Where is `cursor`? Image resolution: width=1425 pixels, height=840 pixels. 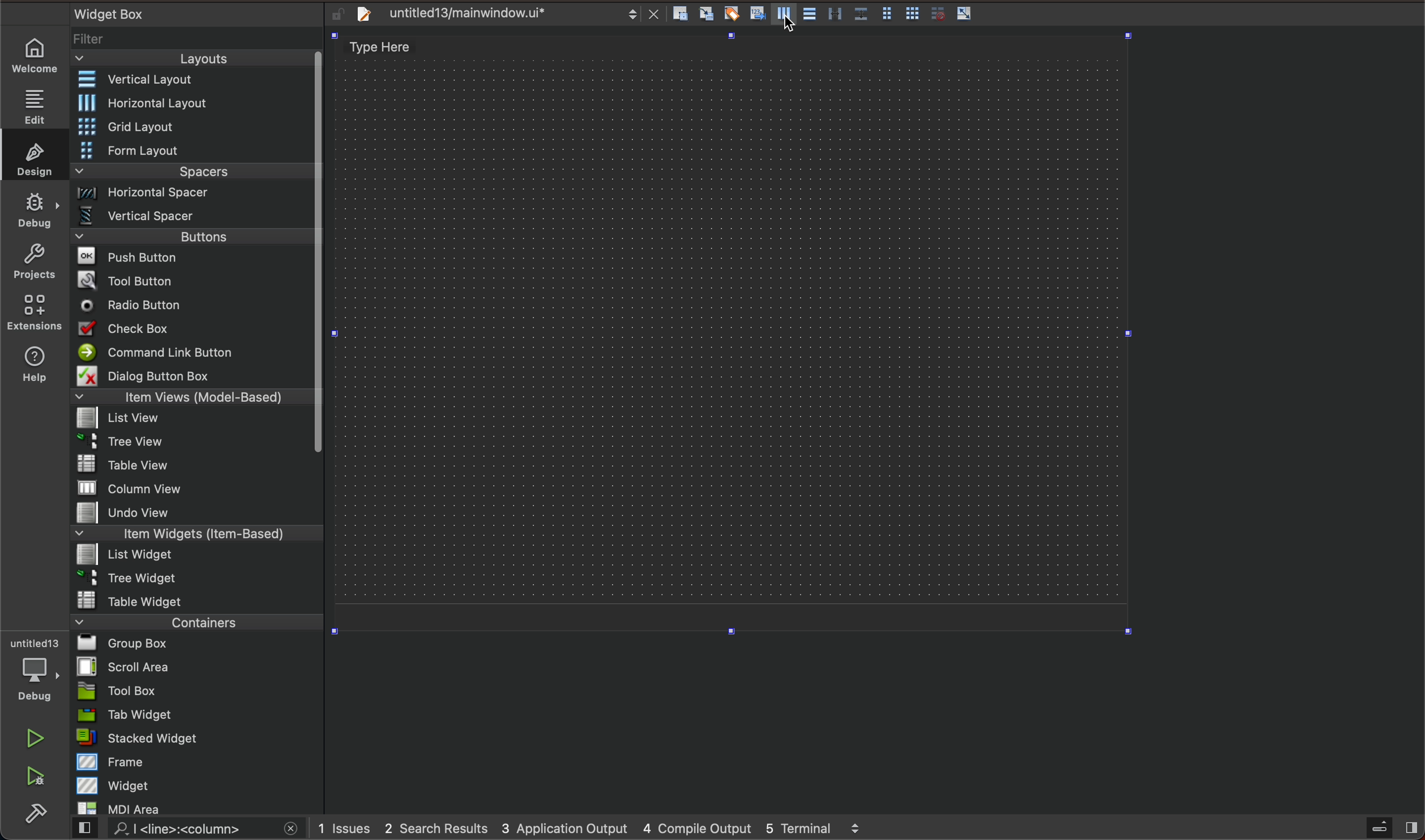
cursor is located at coordinates (789, 27).